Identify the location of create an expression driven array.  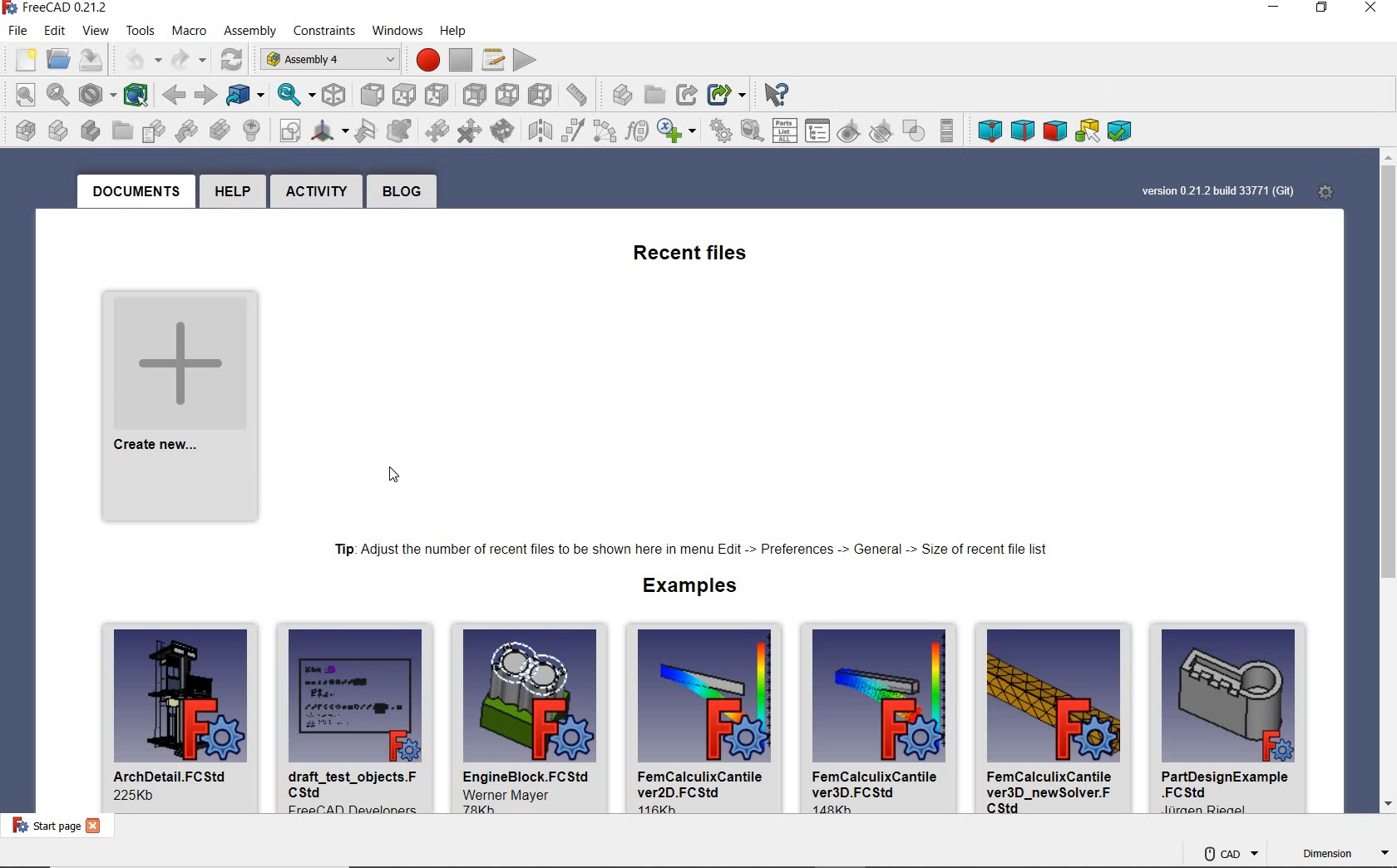
(607, 131).